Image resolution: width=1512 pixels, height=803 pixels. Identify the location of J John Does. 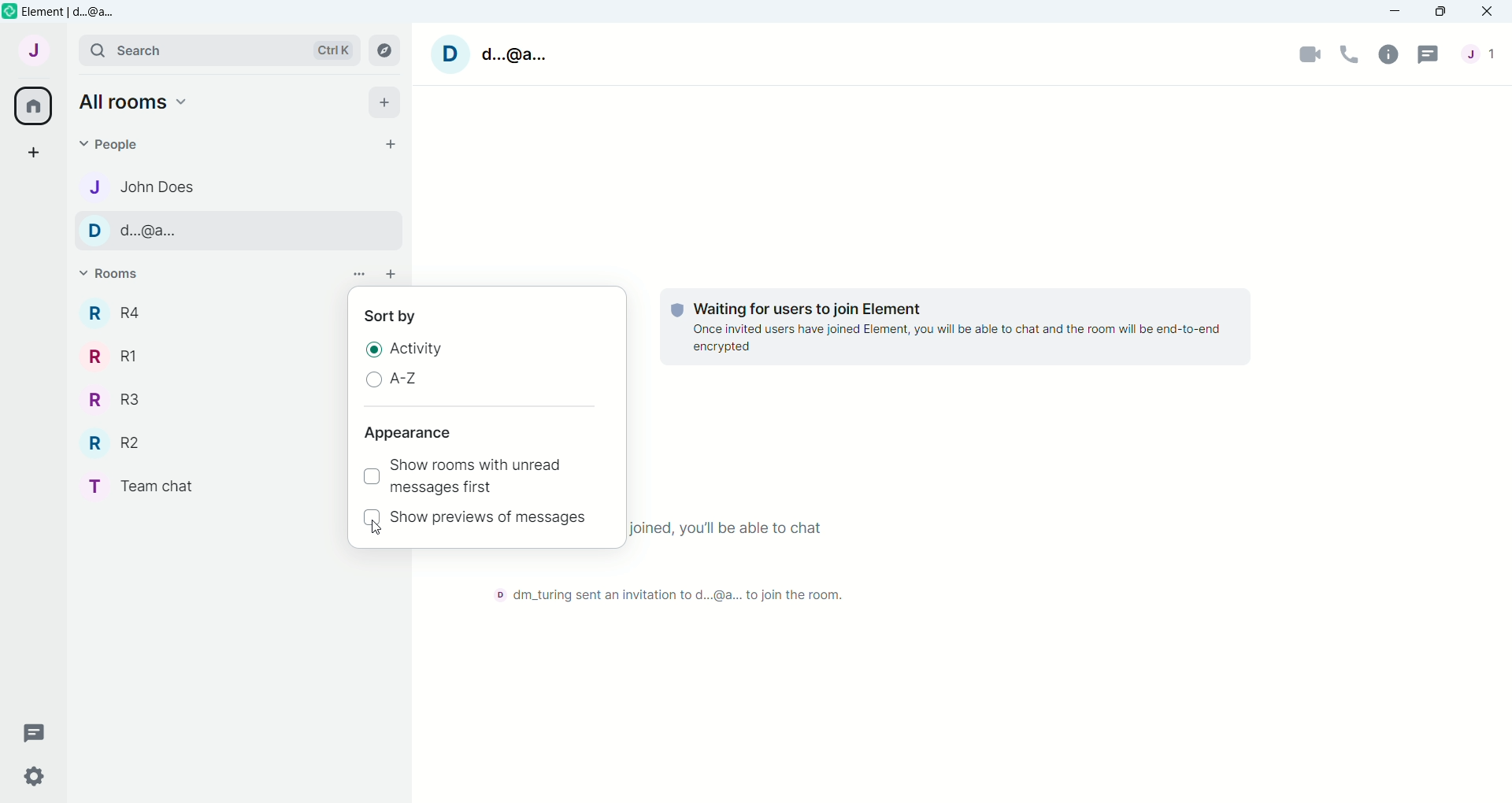
(143, 187).